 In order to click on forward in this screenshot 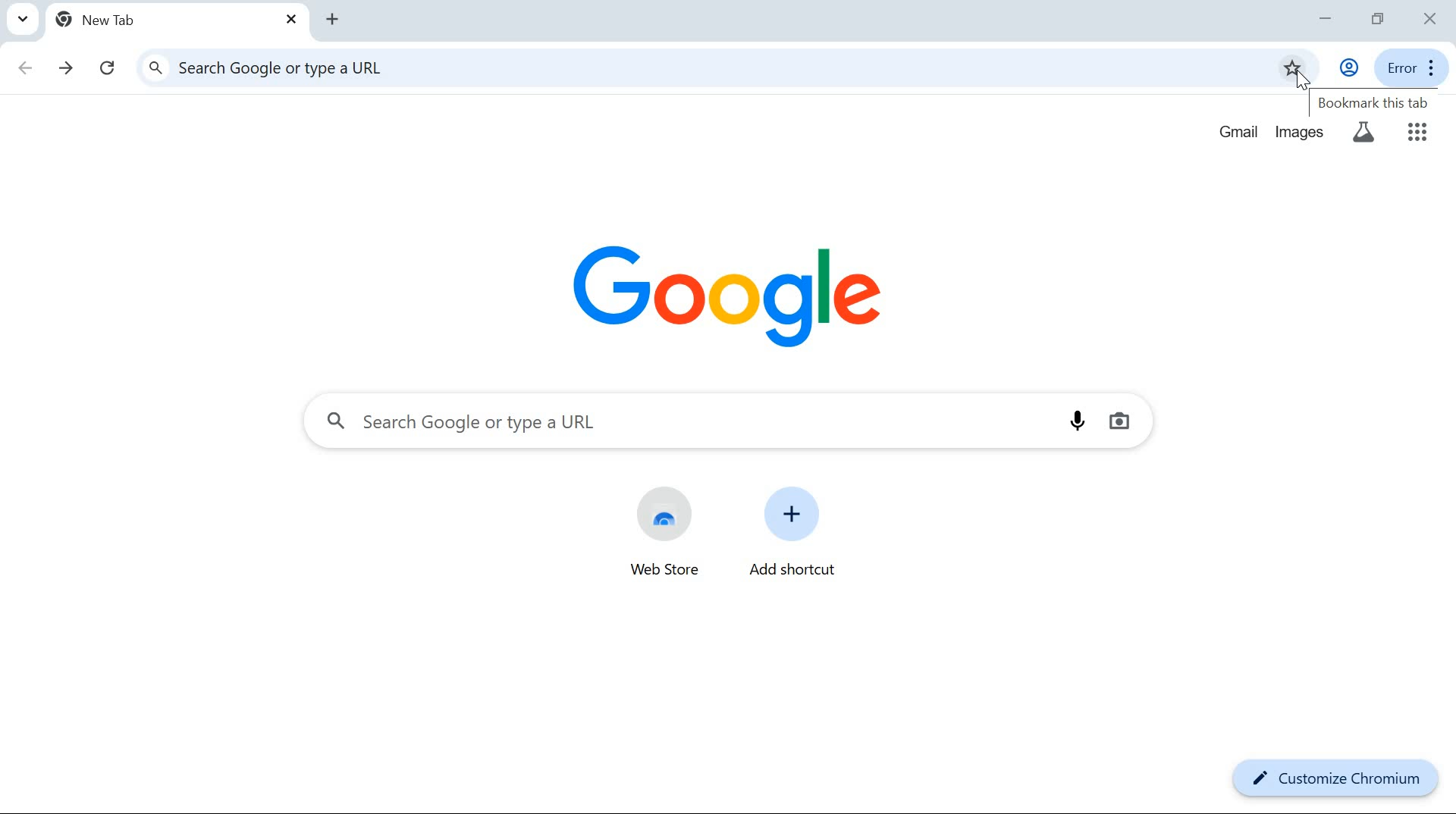, I will do `click(67, 67)`.